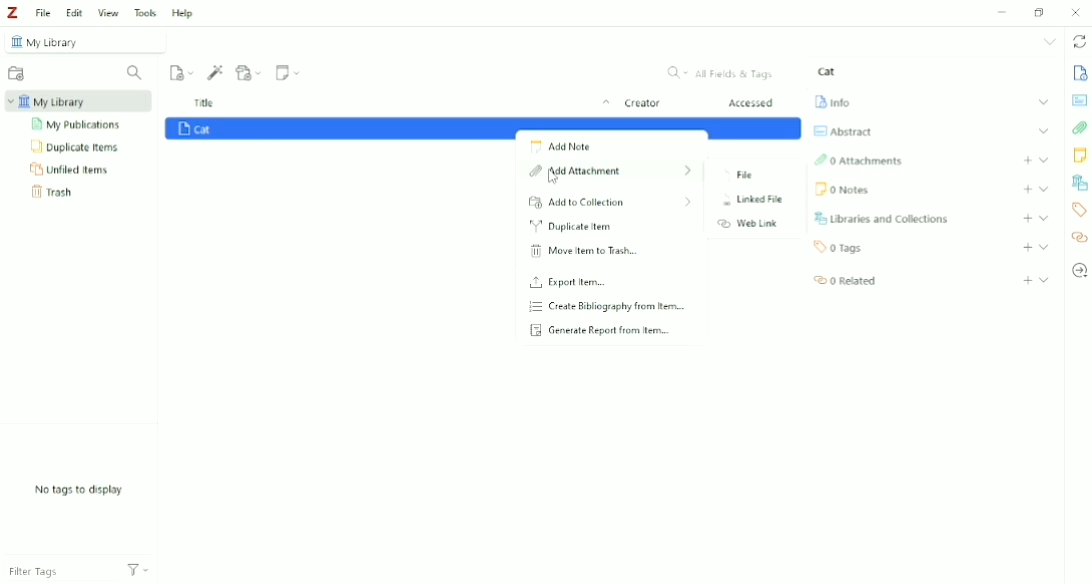 This screenshot has height=584, width=1092. I want to click on Create Bibliography from Item, so click(606, 306).